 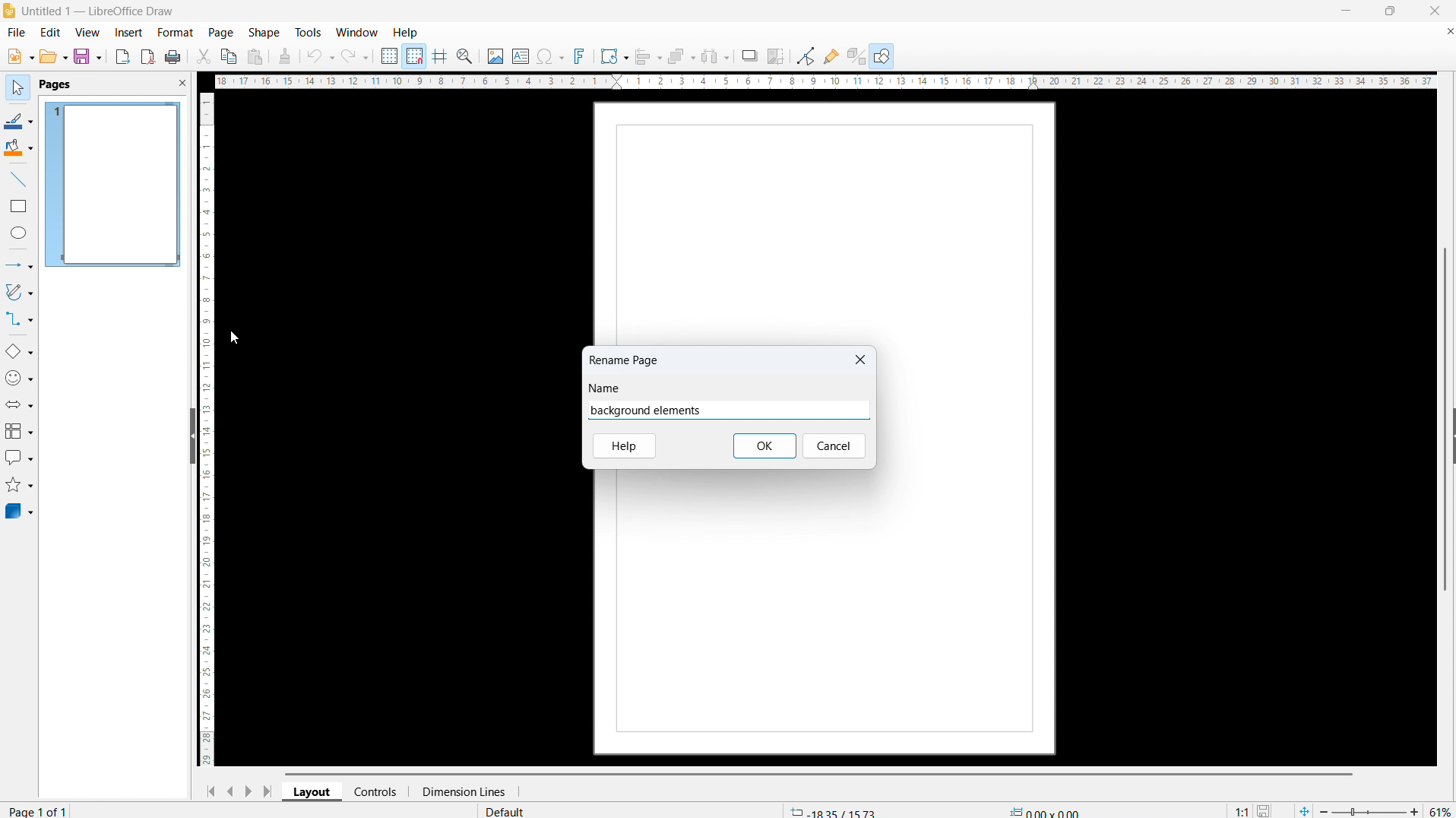 What do you see at coordinates (764, 446) in the screenshot?
I see `Ok` at bounding box center [764, 446].